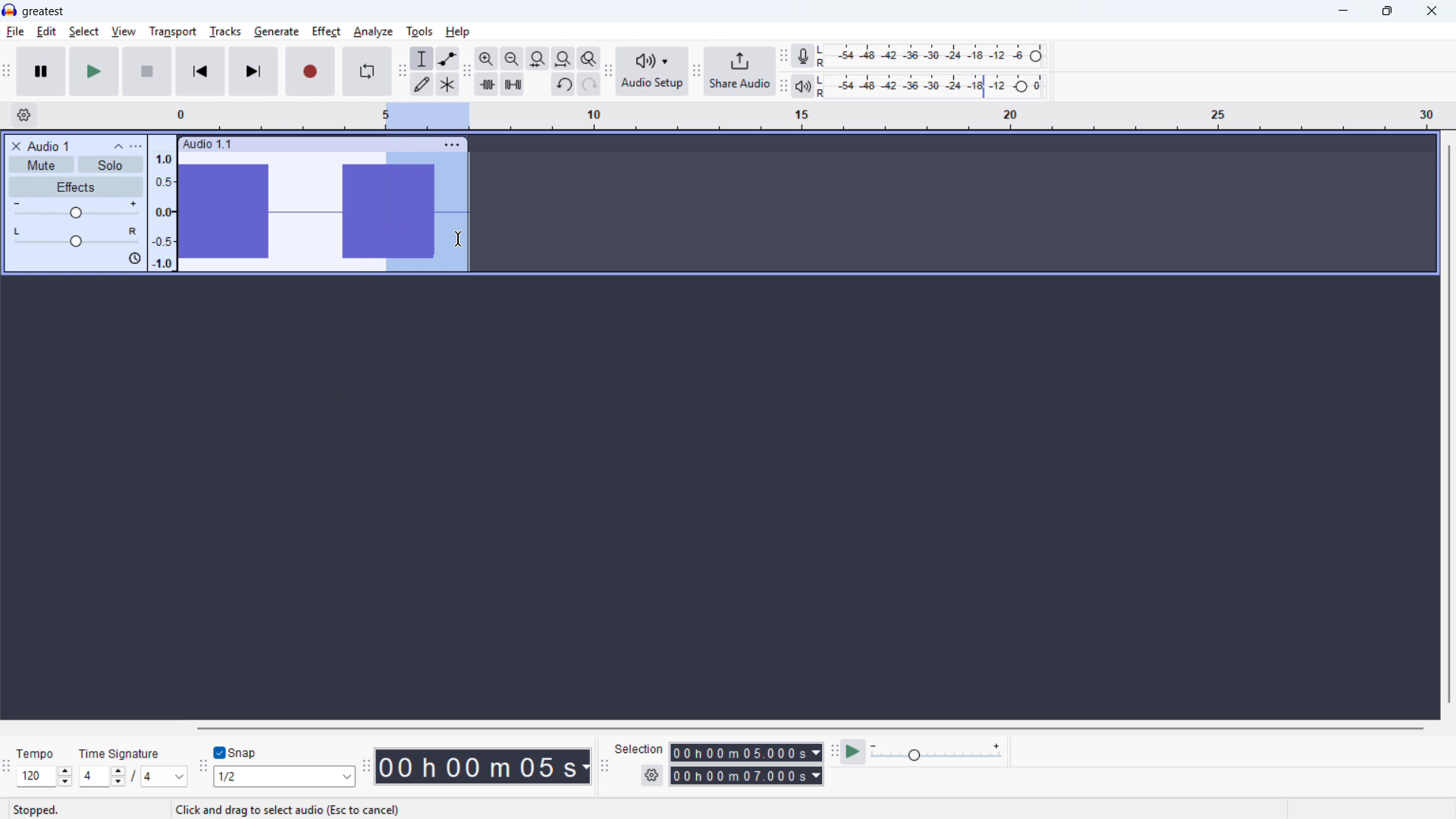 This screenshot has height=819, width=1456. Describe the element at coordinates (1387, 11) in the screenshot. I see `Maximize ` at that location.